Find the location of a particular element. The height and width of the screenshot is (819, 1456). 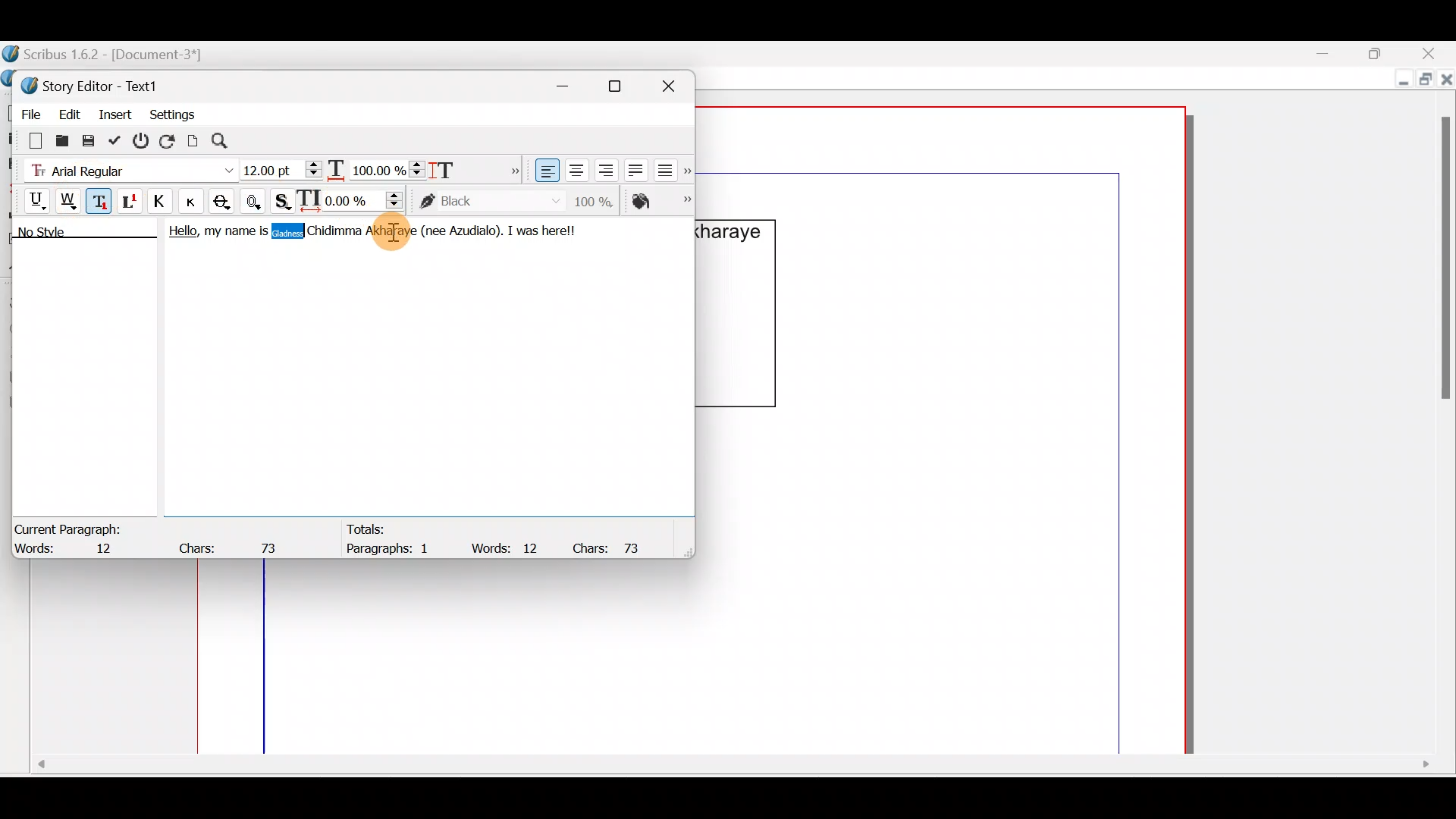

More is located at coordinates (511, 168).